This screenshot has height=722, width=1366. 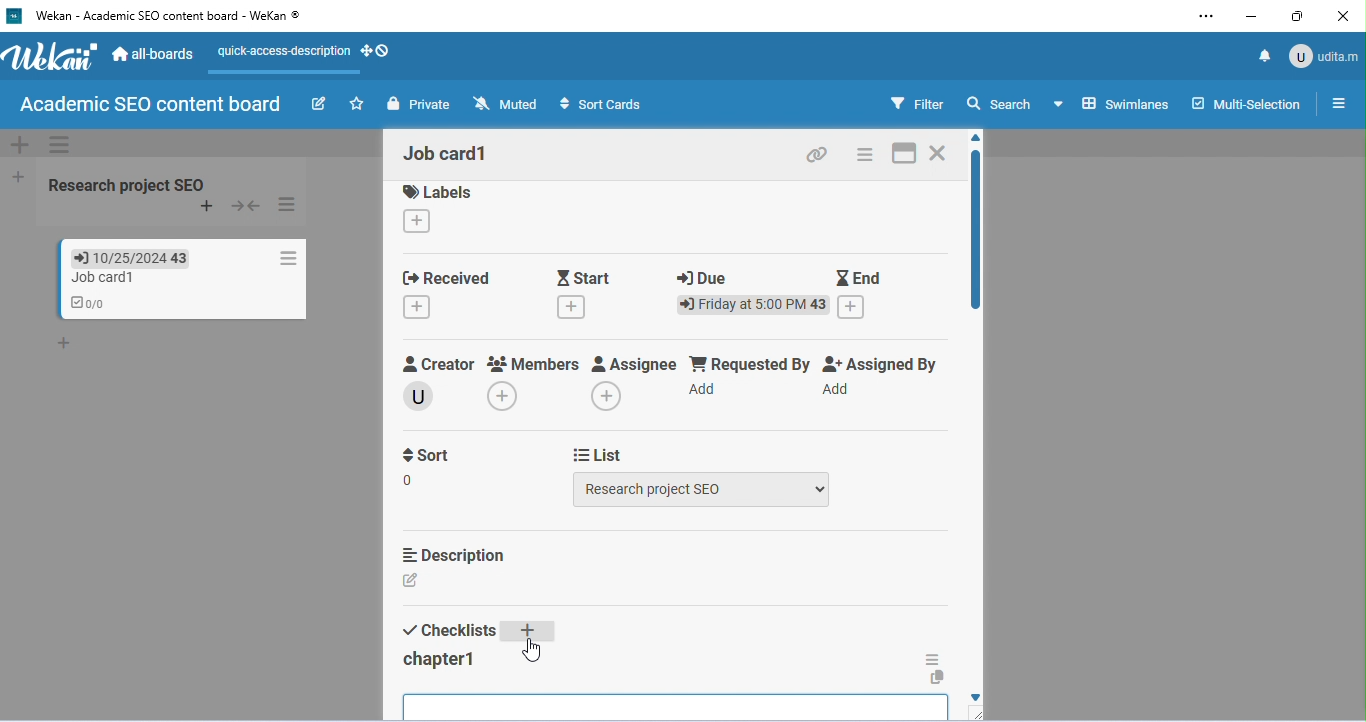 What do you see at coordinates (452, 555) in the screenshot?
I see `description` at bounding box center [452, 555].